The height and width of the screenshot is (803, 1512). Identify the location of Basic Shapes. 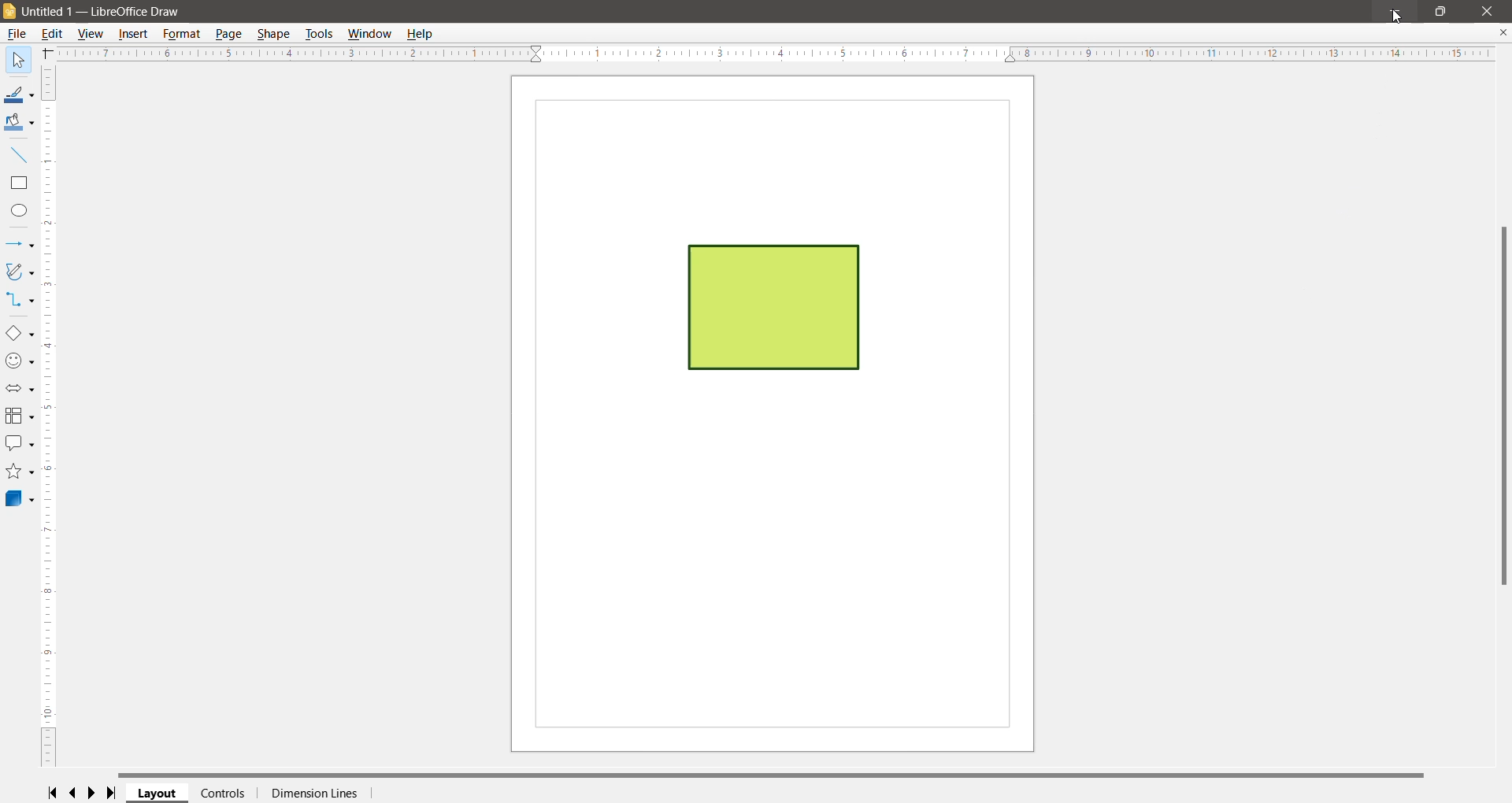
(19, 333).